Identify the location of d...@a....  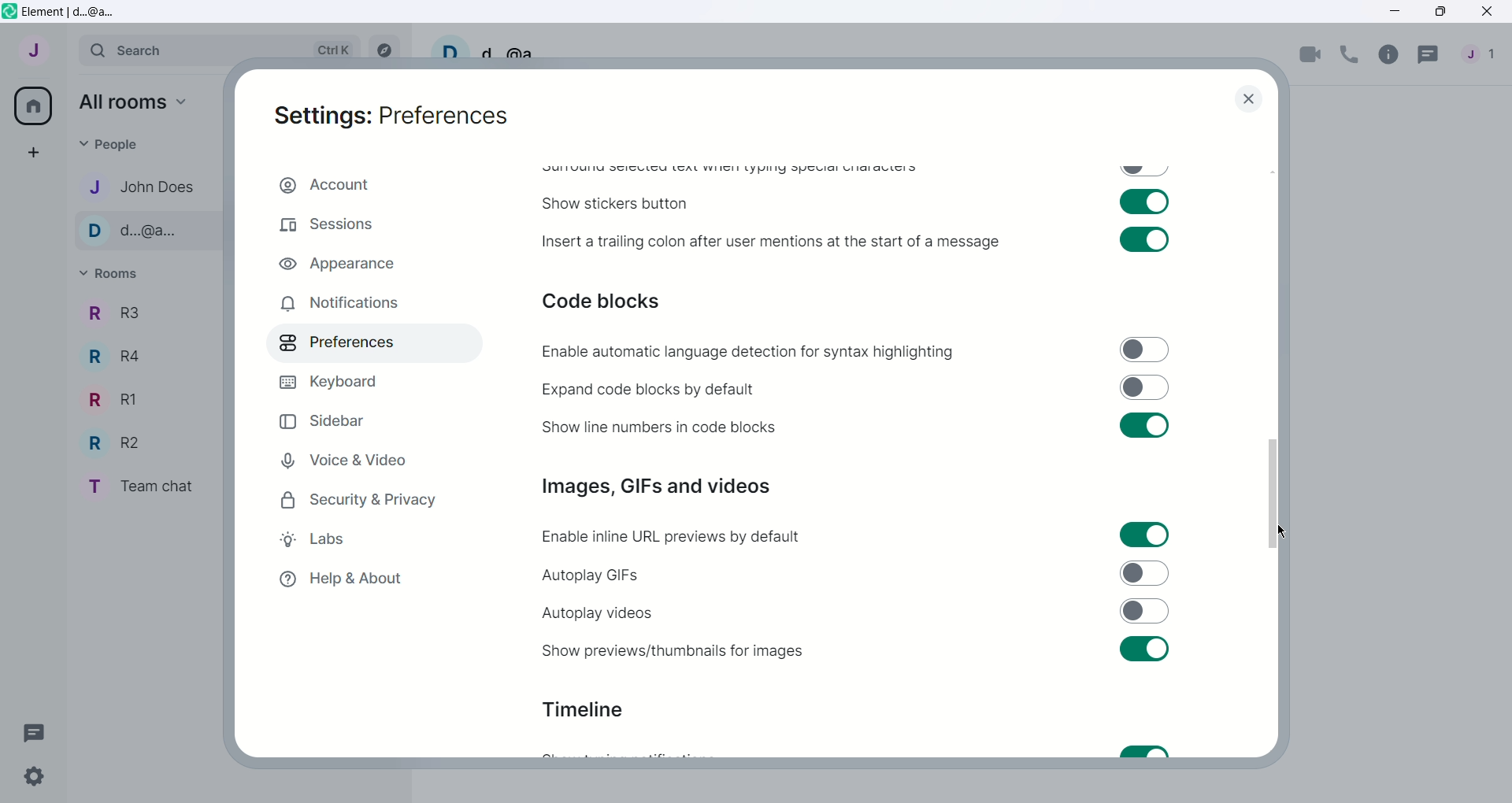
(521, 50).